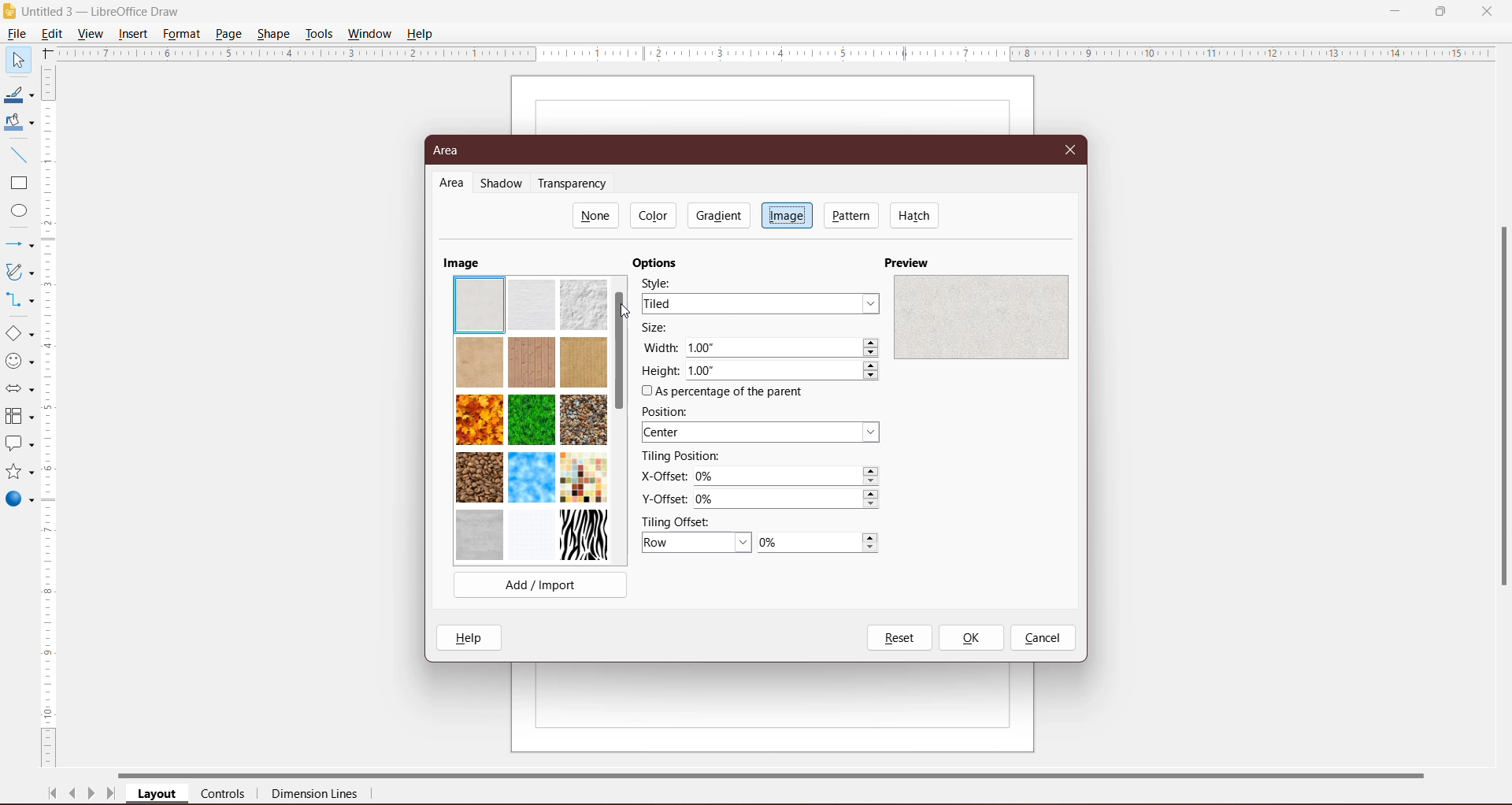 The image size is (1512, 805). I want to click on Pattern, so click(852, 215).